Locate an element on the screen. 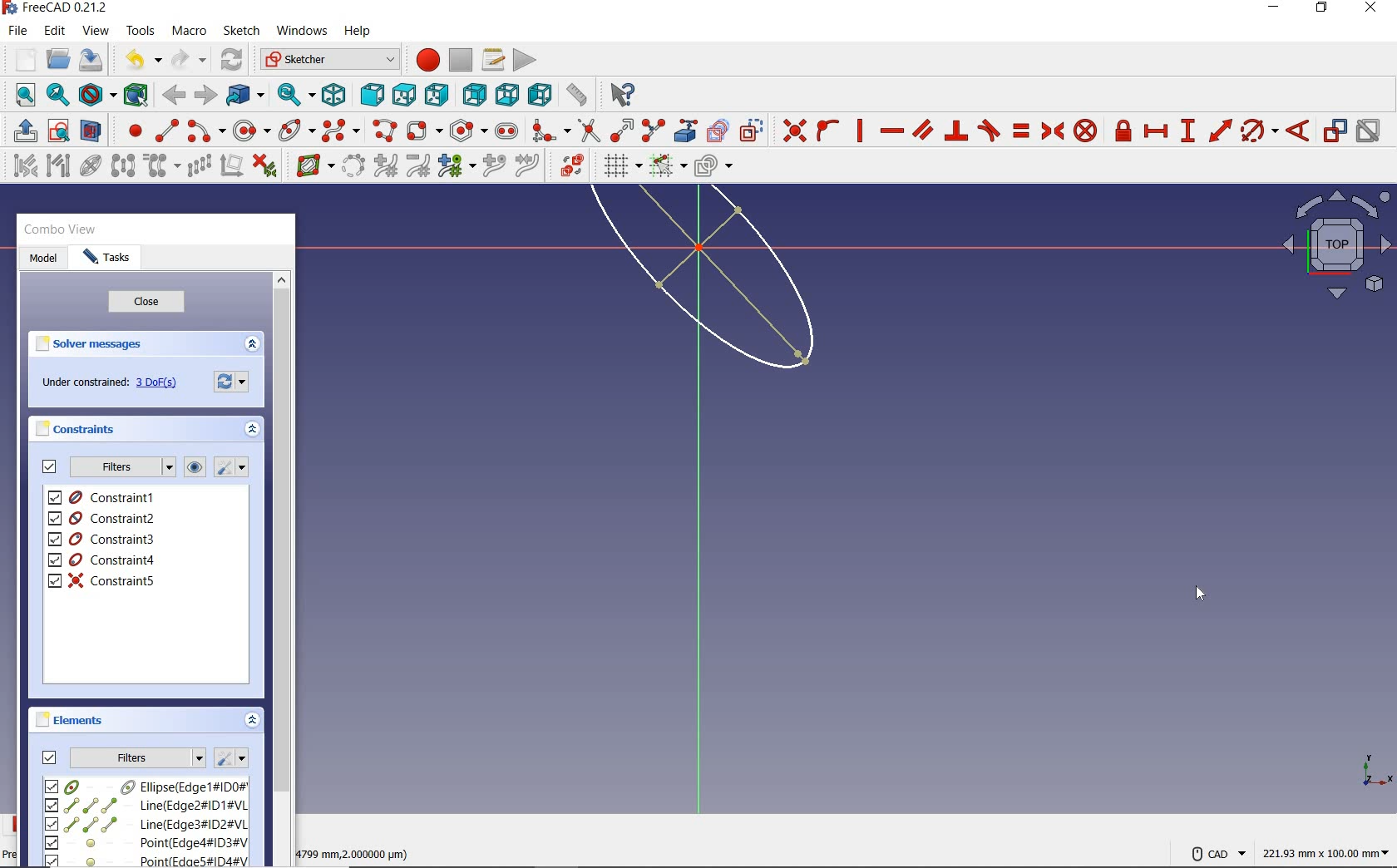 The width and height of the screenshot is (1397, 868). constraints is located at coordinates (80, 428).